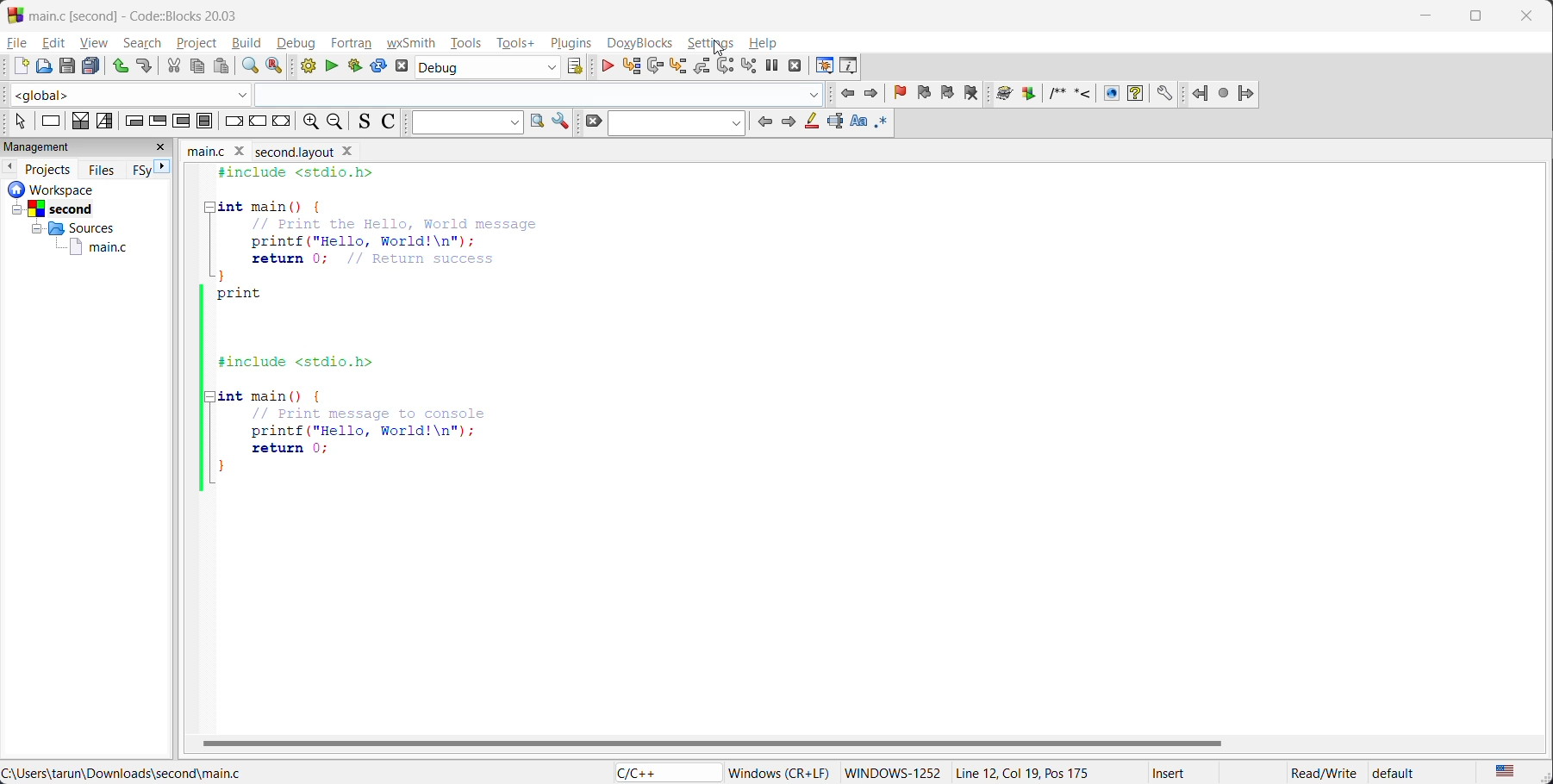 This screenshot has height=784, width=1553. I want to click on mangement, so click(48, 145).